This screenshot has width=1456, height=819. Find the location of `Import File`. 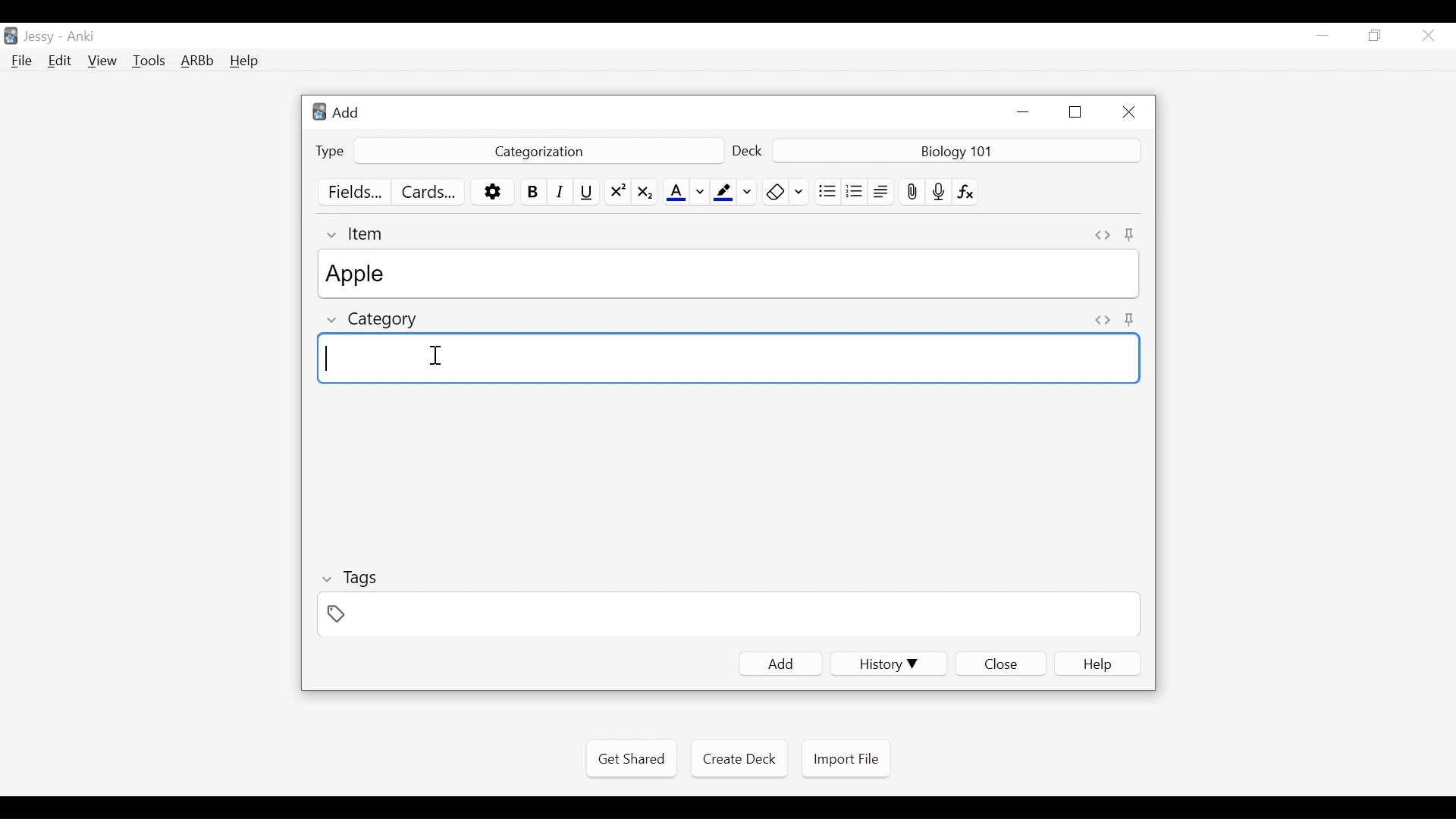

Import File is located at coordinates (846, 759).